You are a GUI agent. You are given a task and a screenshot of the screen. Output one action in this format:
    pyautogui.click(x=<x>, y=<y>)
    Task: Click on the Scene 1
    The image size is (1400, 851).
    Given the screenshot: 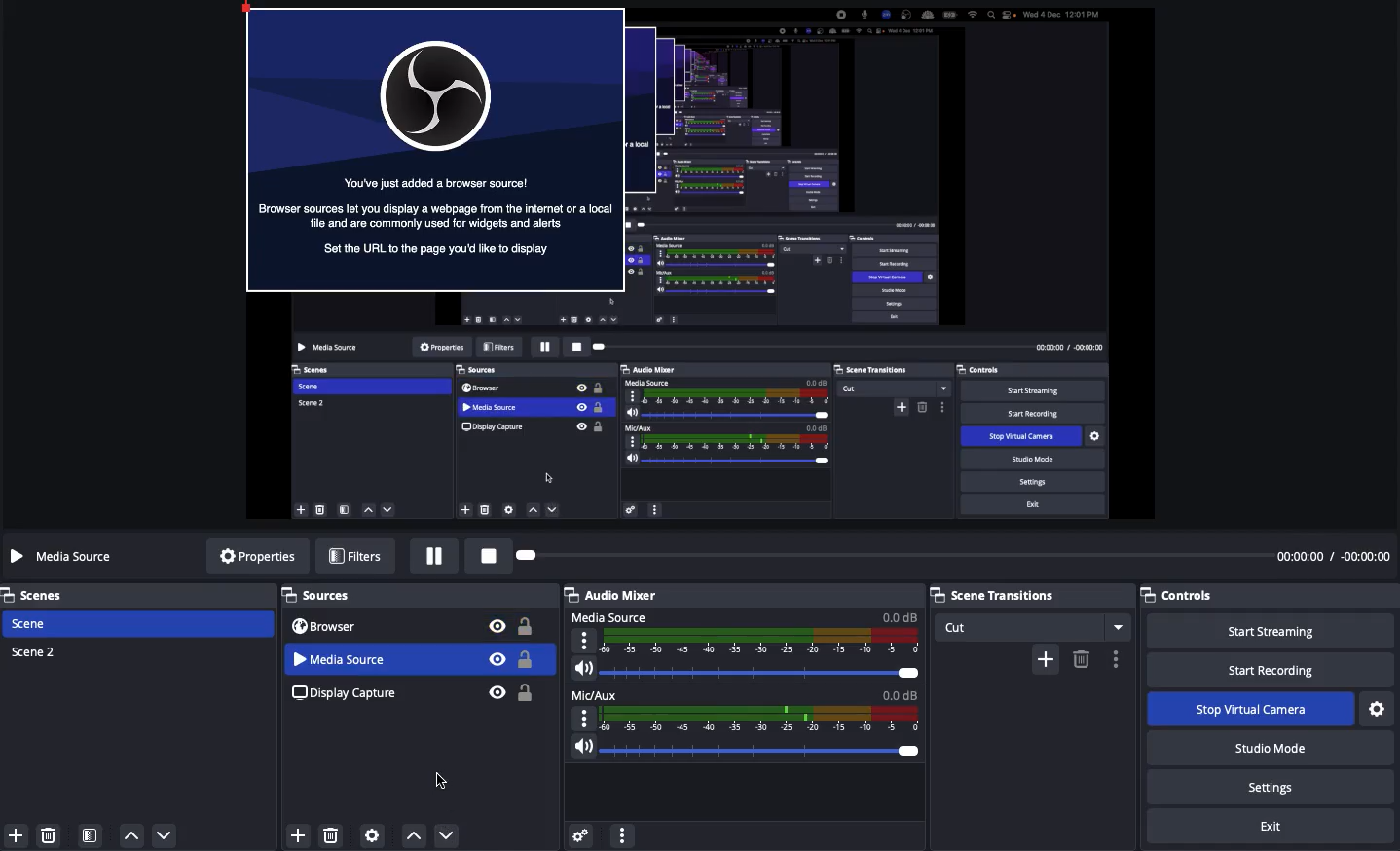 What is the action you would take?
    pyautogui.click(x=29, y=624)
    